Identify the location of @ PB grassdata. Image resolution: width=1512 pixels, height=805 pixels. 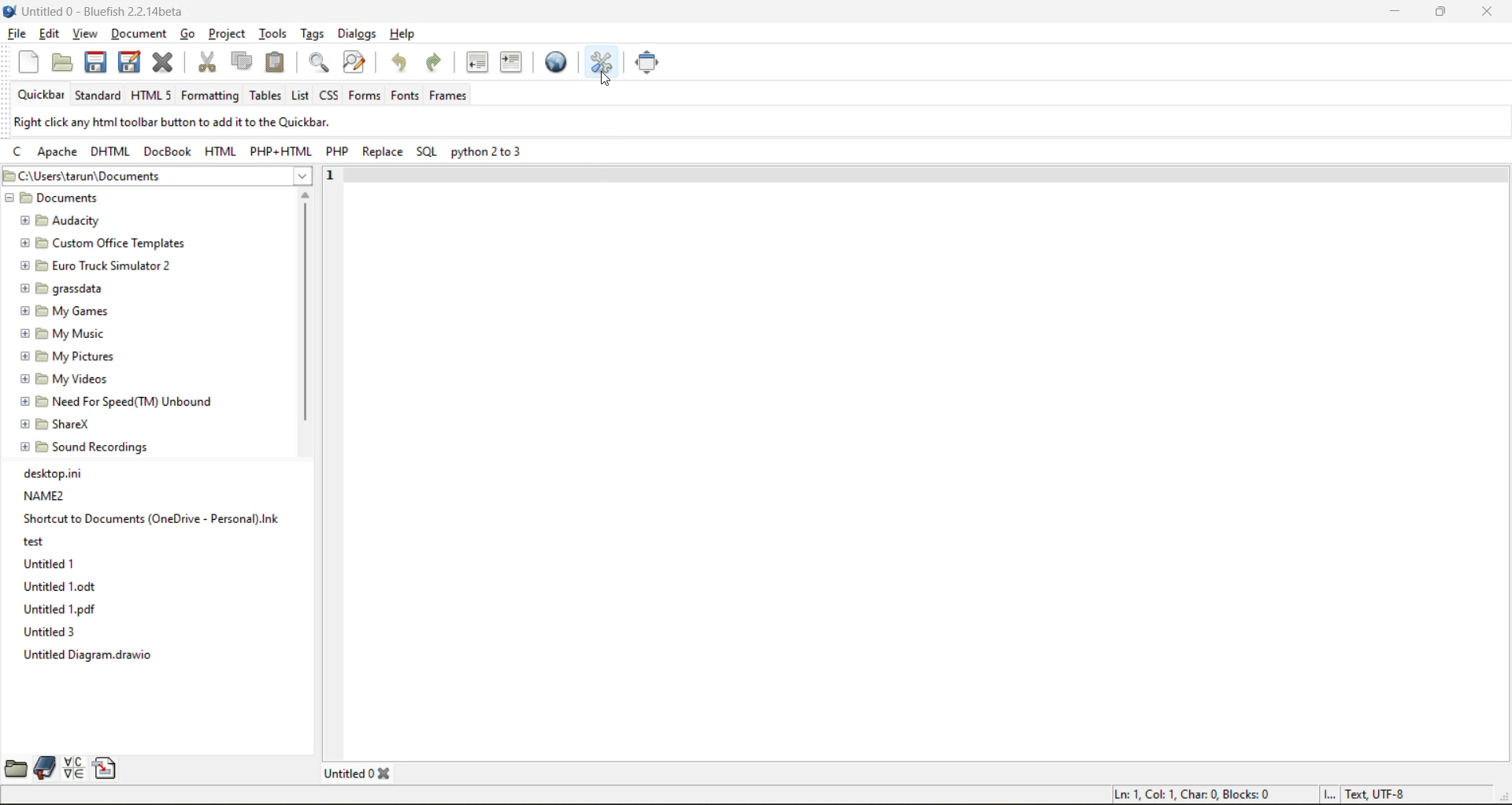
(61, 287).